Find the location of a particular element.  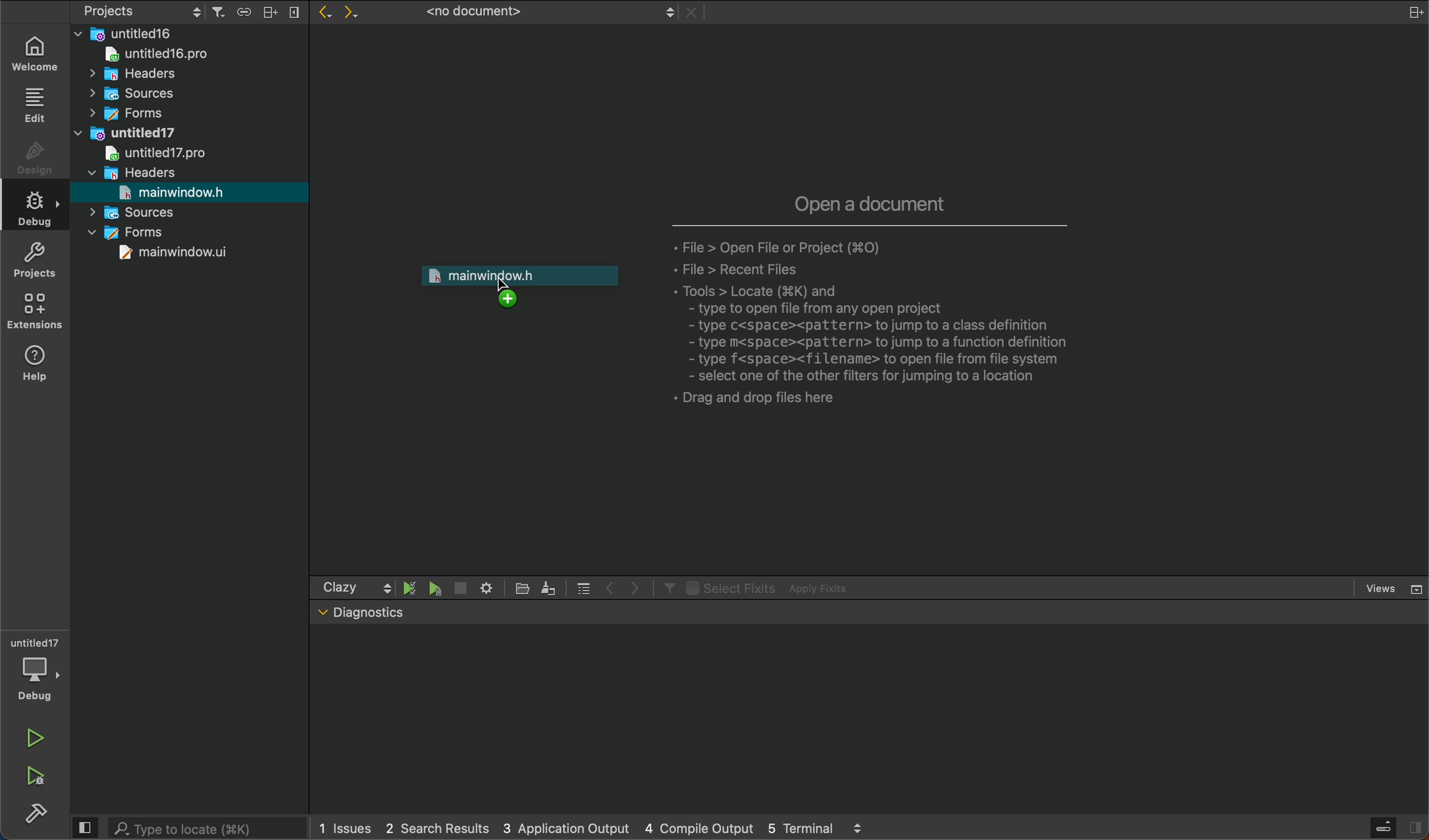

4 Compile Output is located at coordinates (699, 827).